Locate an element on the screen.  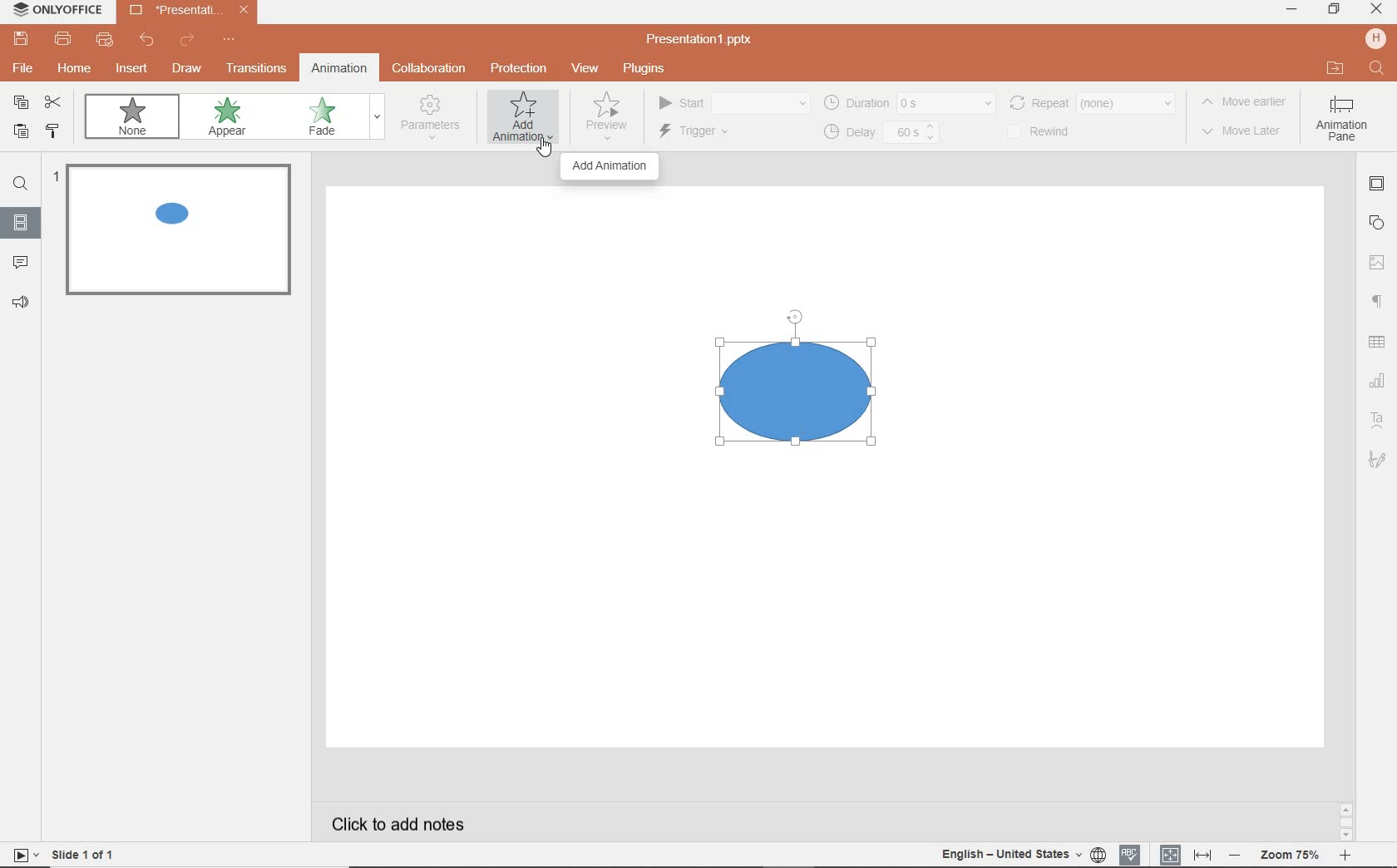
collaboration is located at coordinates (431, 69).